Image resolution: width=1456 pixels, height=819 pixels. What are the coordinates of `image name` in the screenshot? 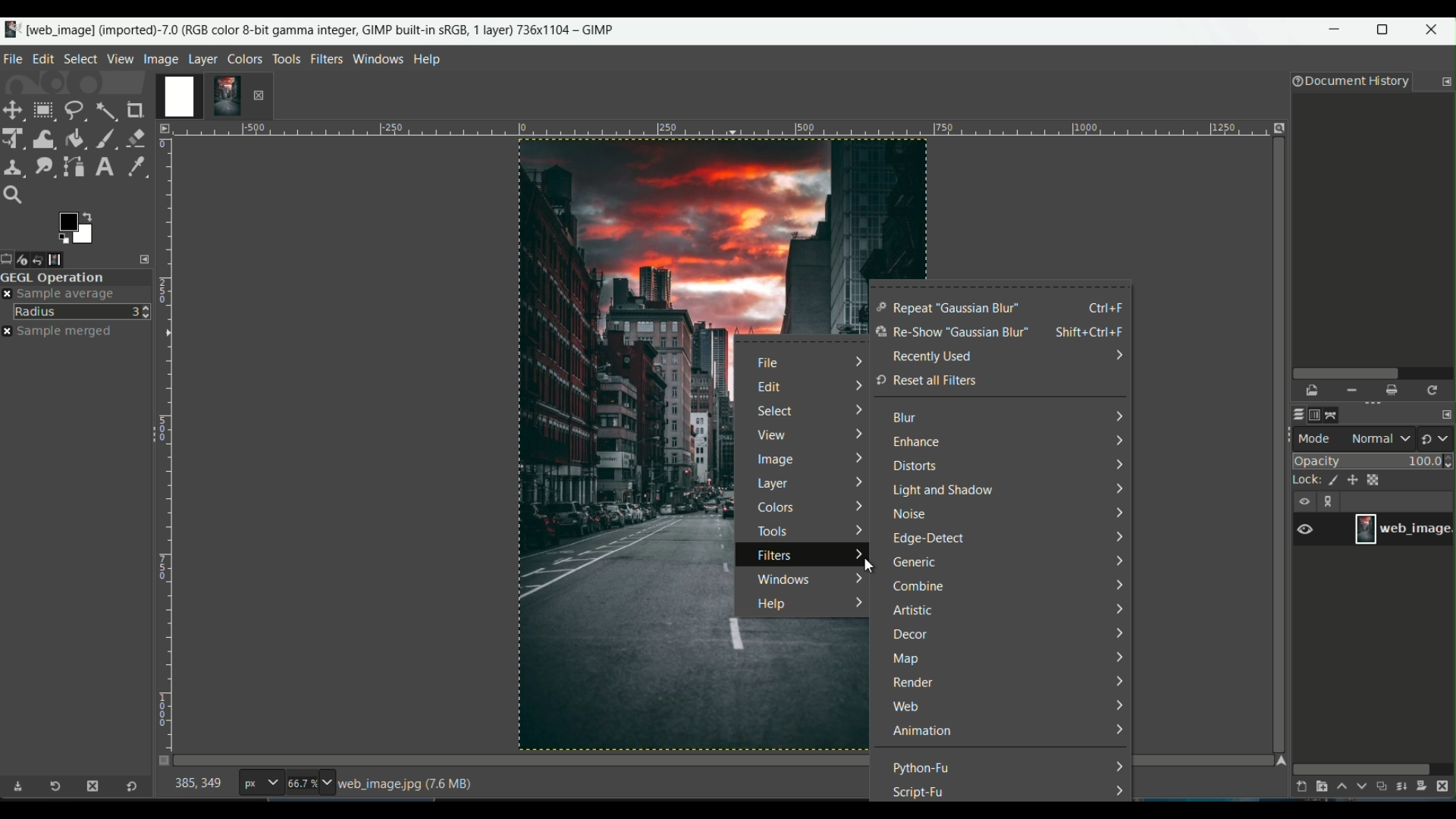 It's located at (1403, 529).